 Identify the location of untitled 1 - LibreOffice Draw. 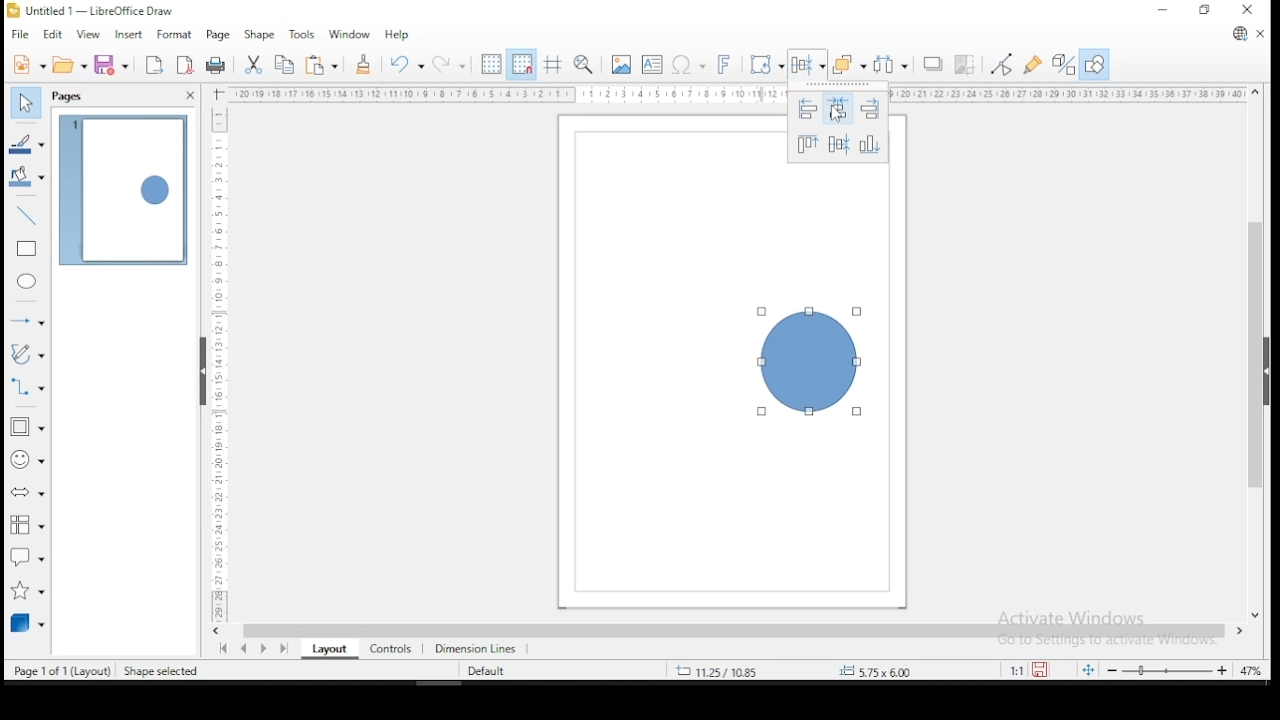
(90, 10).